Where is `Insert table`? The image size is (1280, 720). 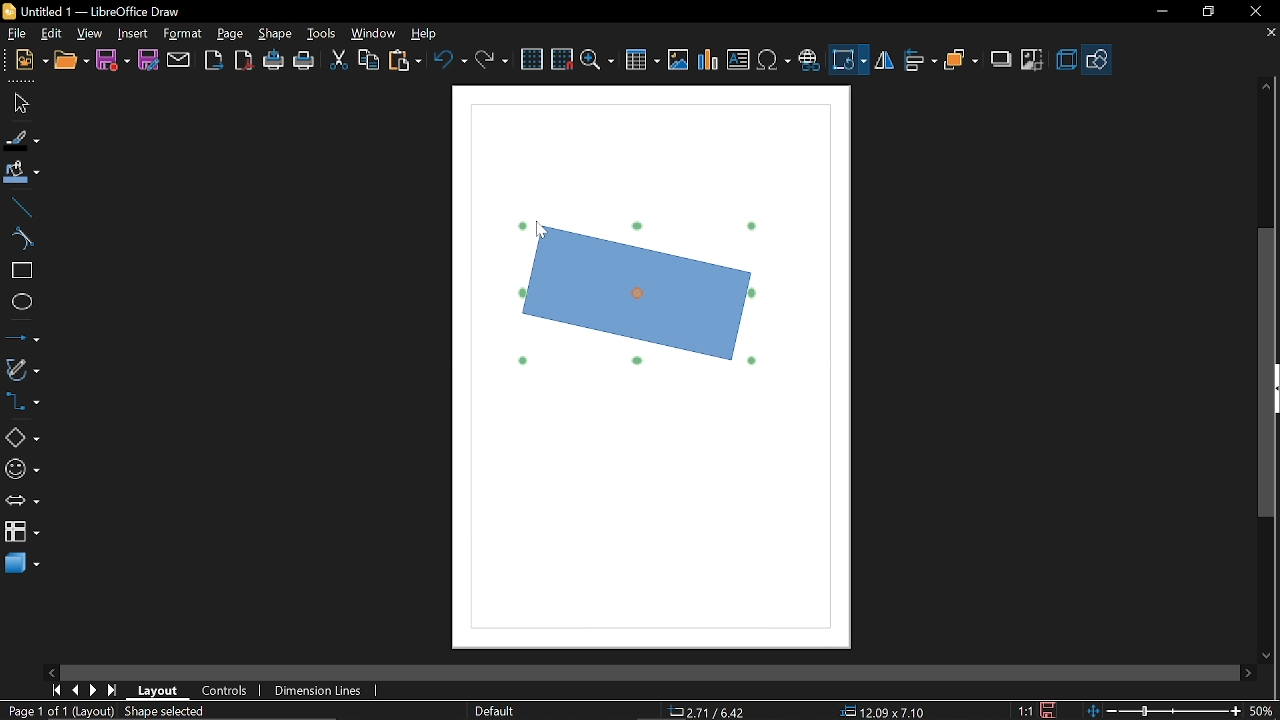
Insert table is located at coordinates (643, 61).